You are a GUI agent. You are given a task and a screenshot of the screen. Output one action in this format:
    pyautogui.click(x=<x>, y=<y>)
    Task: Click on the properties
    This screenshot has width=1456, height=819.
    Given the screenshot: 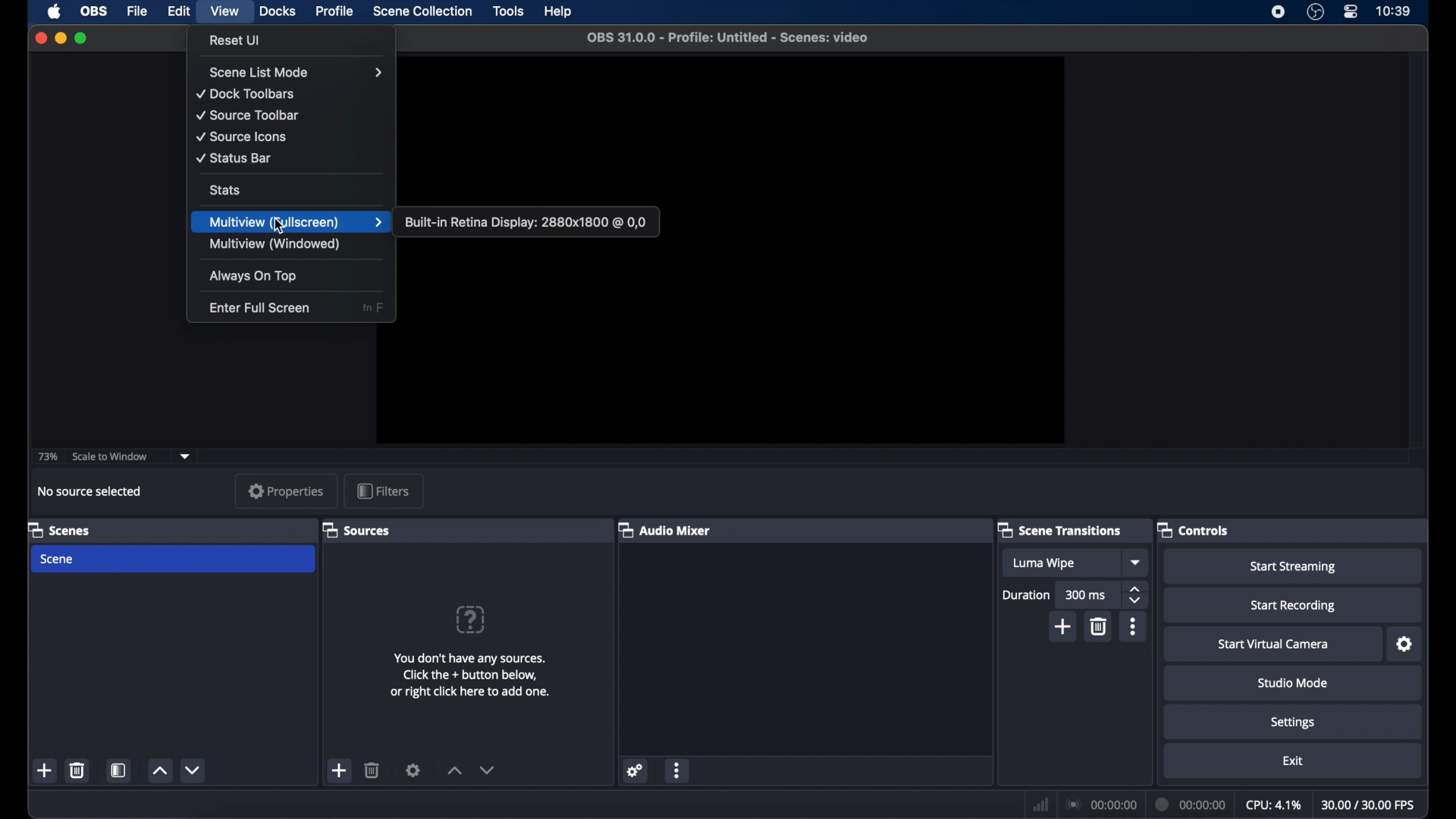 What is the action you would take?
    pyautogui.click(x=285, y=492)
    